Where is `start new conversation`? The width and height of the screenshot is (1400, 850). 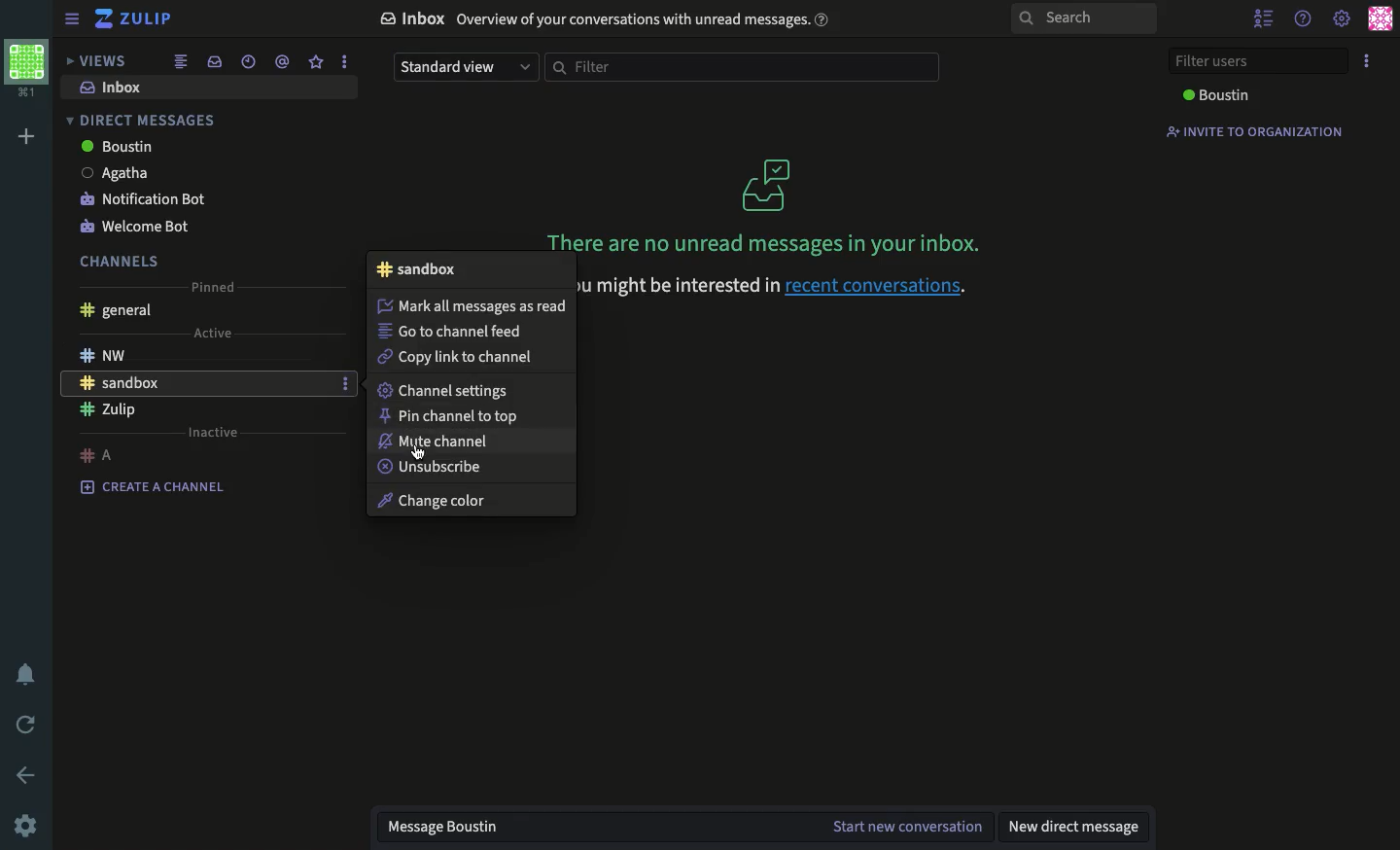
start new conversation is located at coordinates (908, 827).